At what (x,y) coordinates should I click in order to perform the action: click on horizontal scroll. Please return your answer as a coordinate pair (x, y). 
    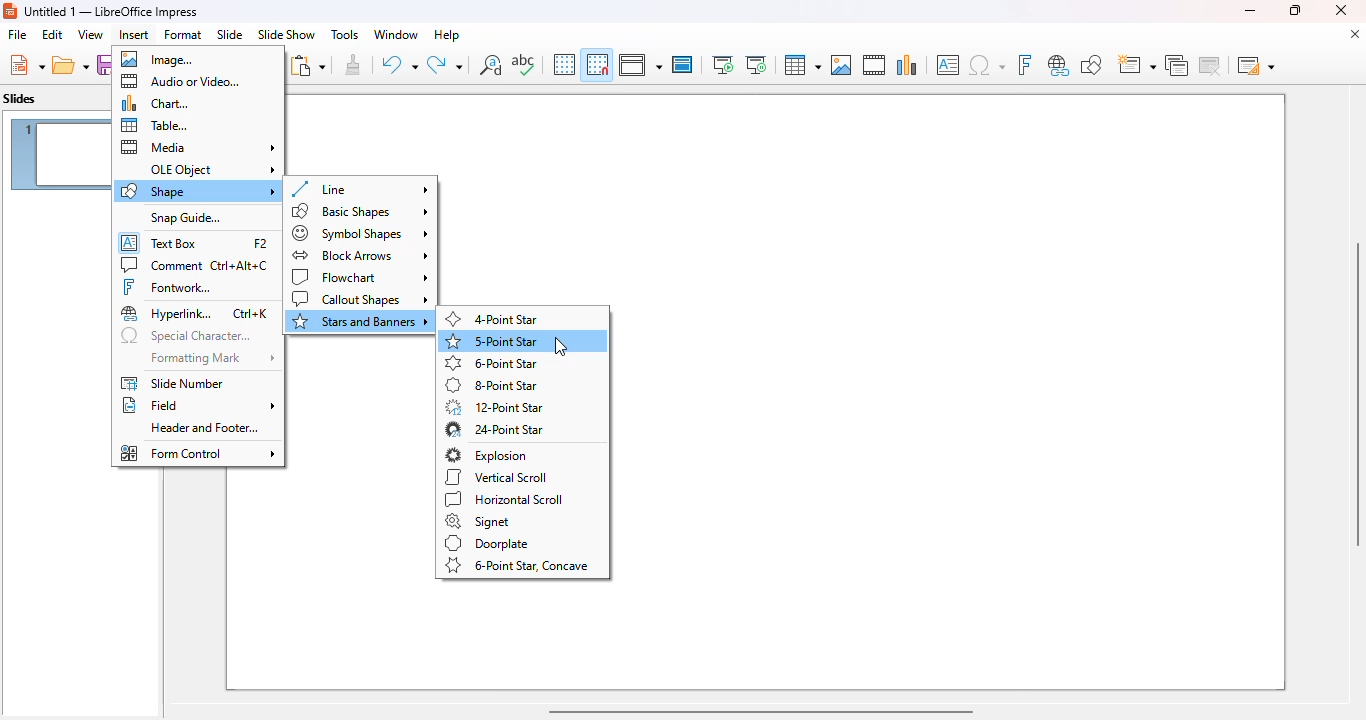
    Looking at the image, I should click on (506, 499).